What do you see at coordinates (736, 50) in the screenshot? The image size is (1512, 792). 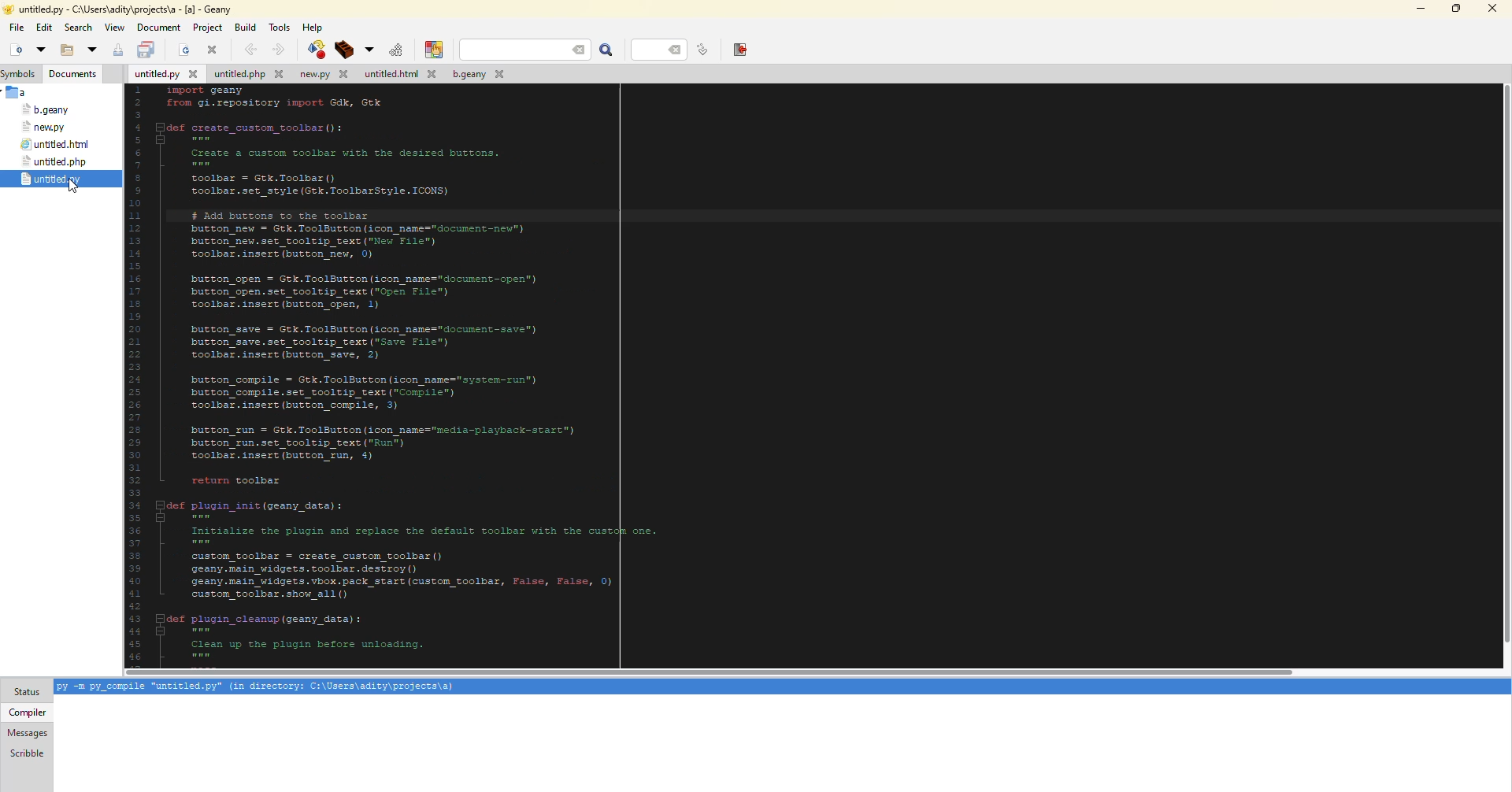 I see `exit` at bounding box center [736, 50].